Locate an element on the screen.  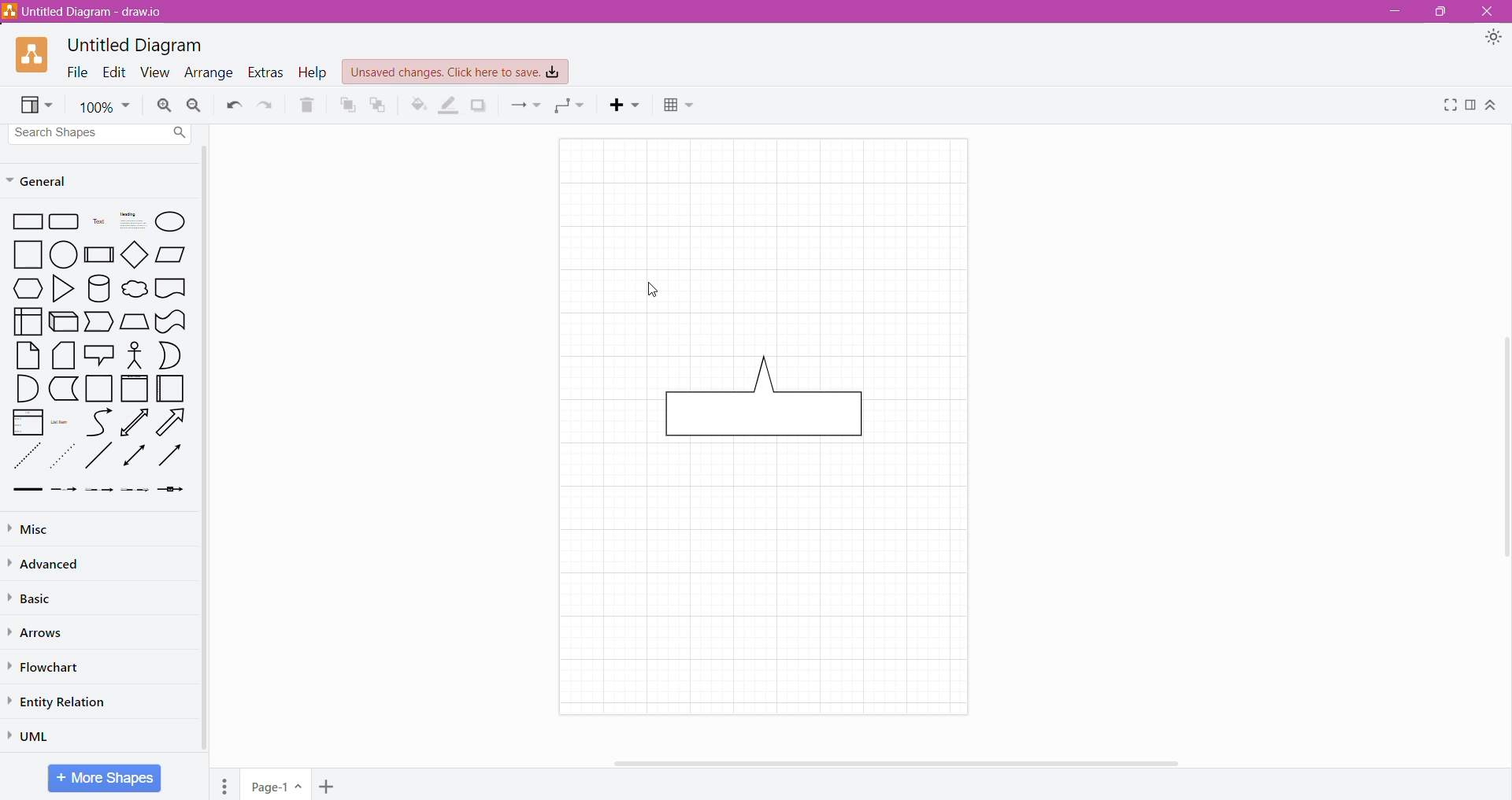
Connection is located at coordinates (525, 106).